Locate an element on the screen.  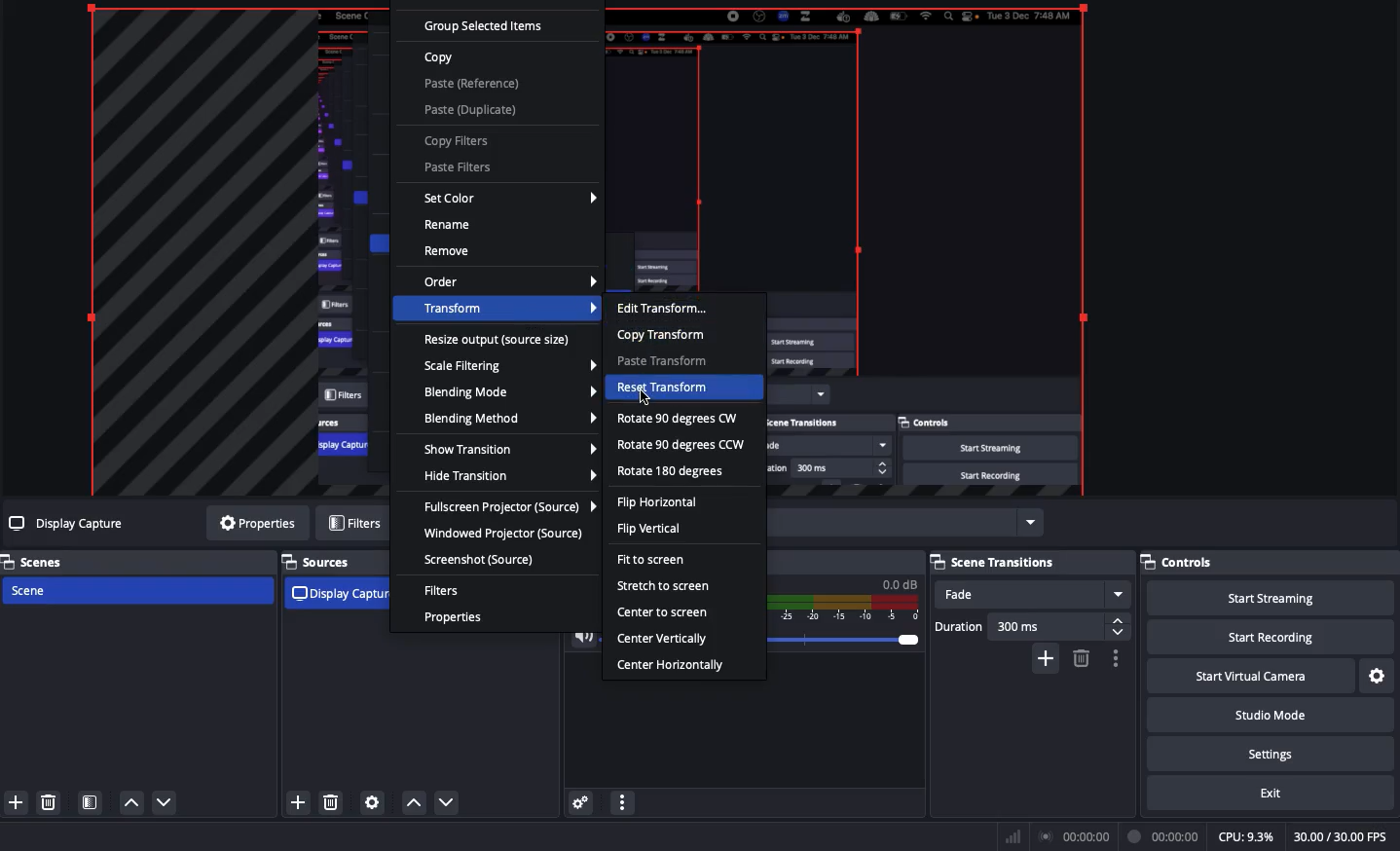
Rename is located at coordinates (452, 225).